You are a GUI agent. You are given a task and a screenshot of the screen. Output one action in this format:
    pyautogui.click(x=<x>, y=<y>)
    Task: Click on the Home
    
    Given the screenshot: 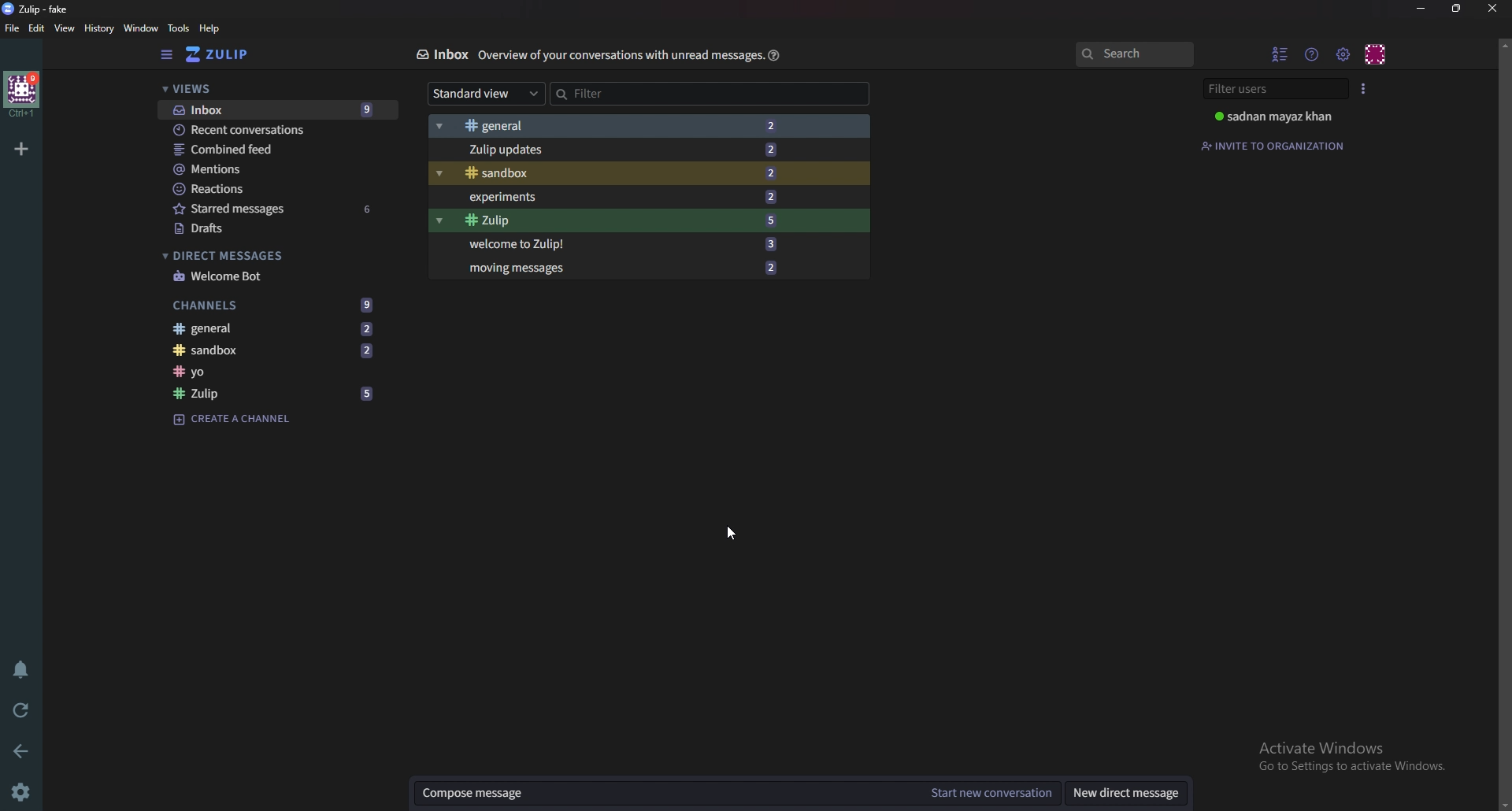 What is the action you would take?
    pyautogui.click(x=24, y=95)
    